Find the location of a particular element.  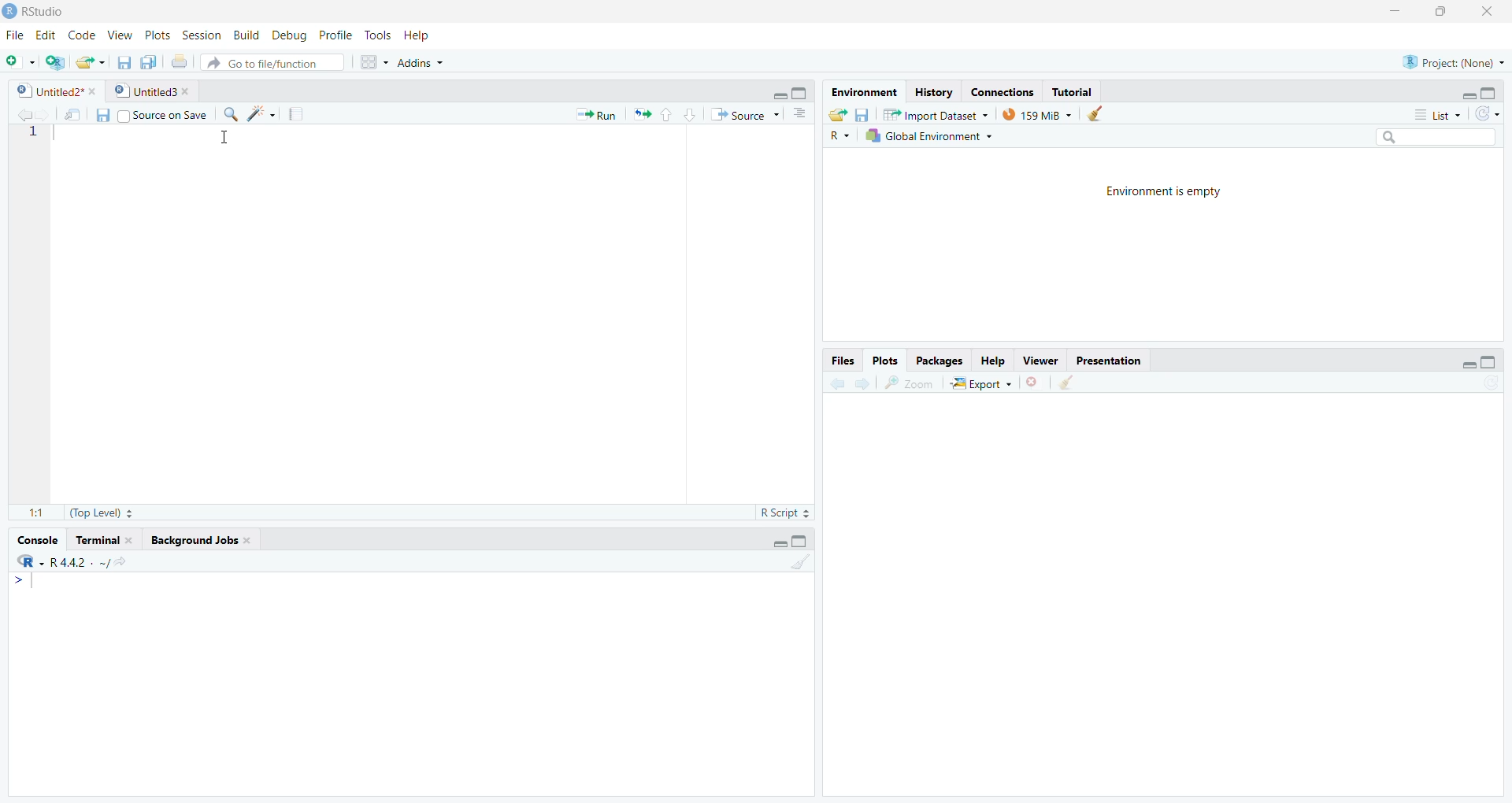

Plots is located at coordinates (155, 35).